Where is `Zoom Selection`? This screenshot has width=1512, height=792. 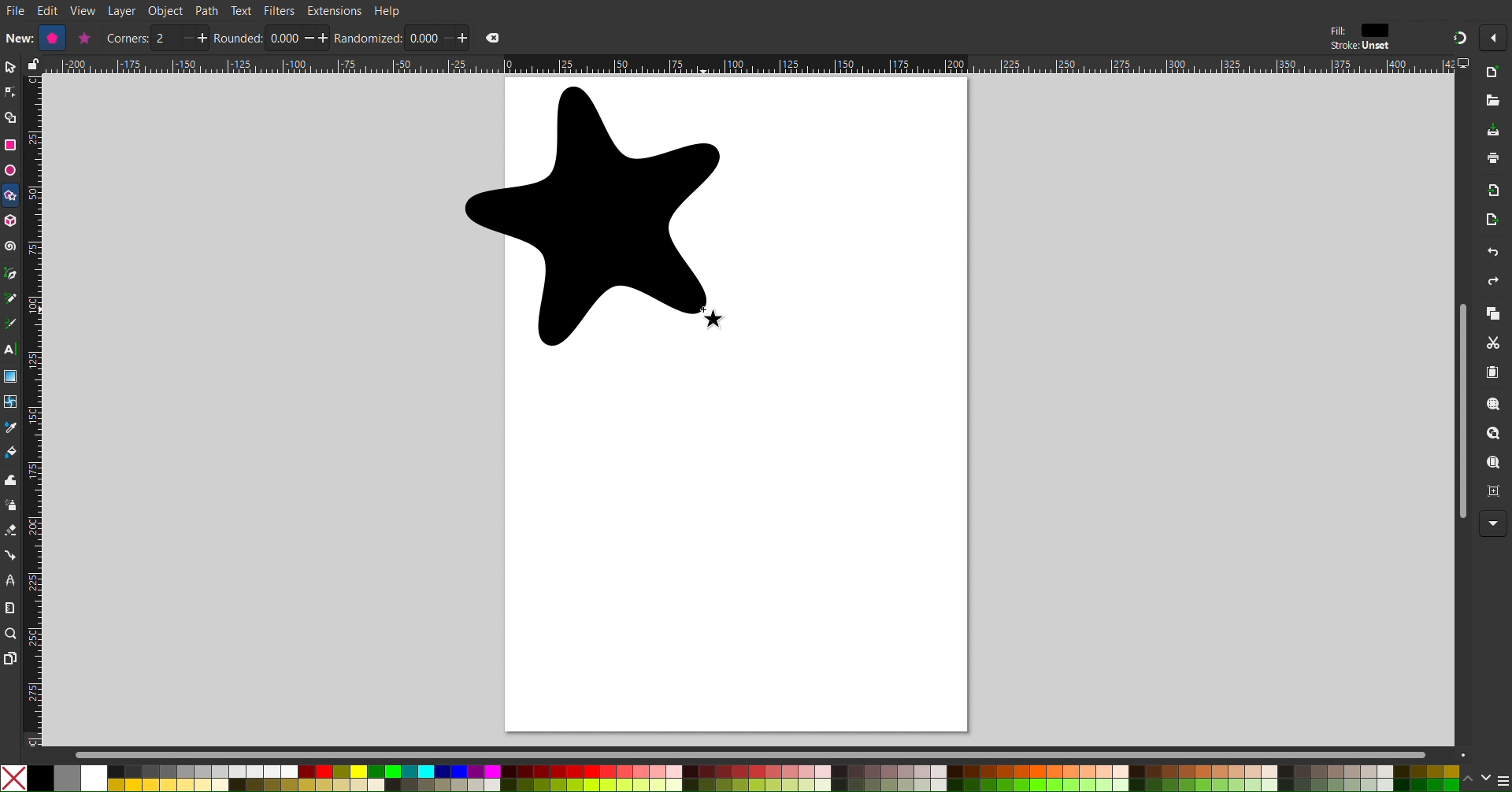 Zoom Selection is located at coordinates (1495, 406).